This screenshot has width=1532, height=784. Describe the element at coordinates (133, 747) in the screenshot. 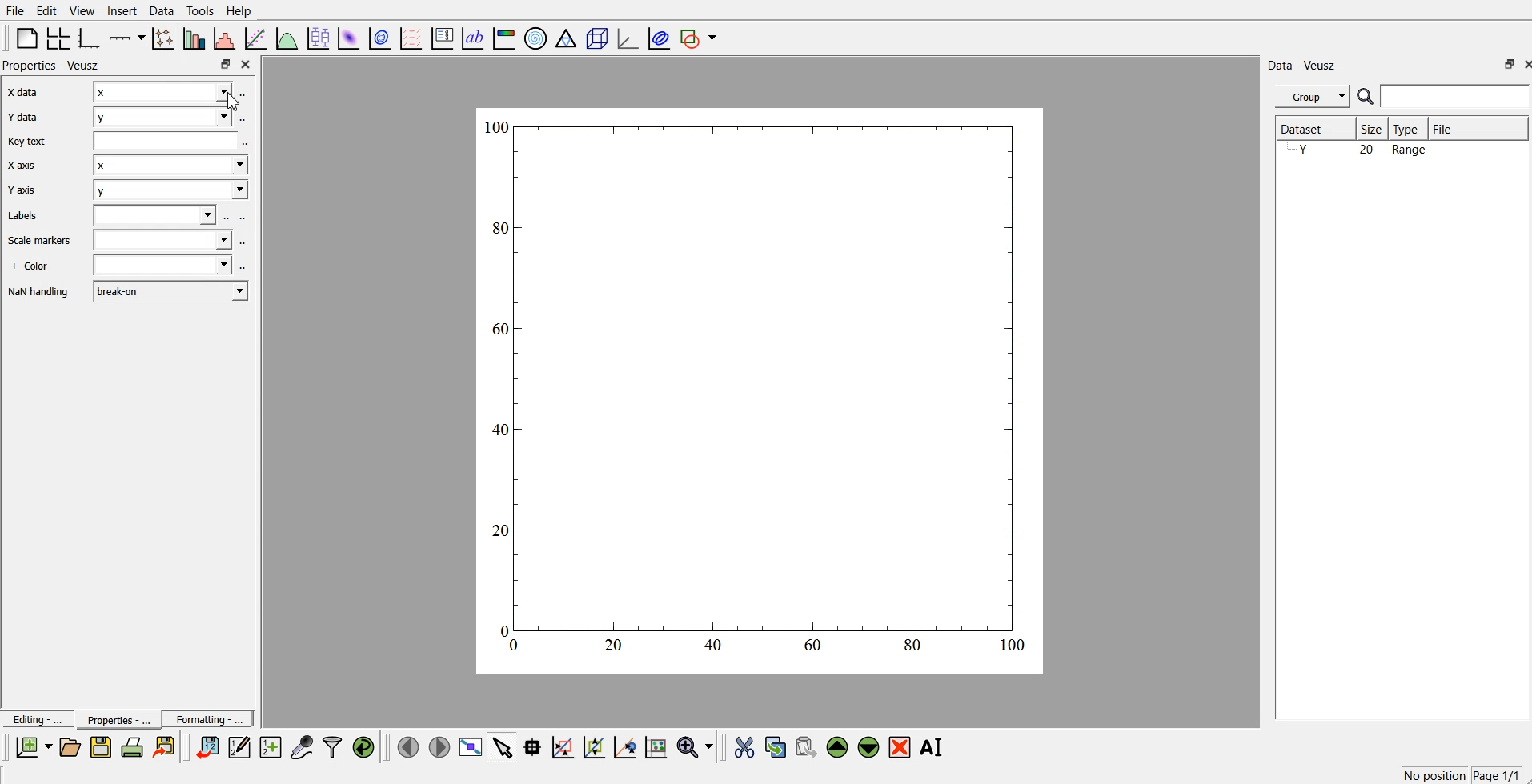

I see `Print` at that location.